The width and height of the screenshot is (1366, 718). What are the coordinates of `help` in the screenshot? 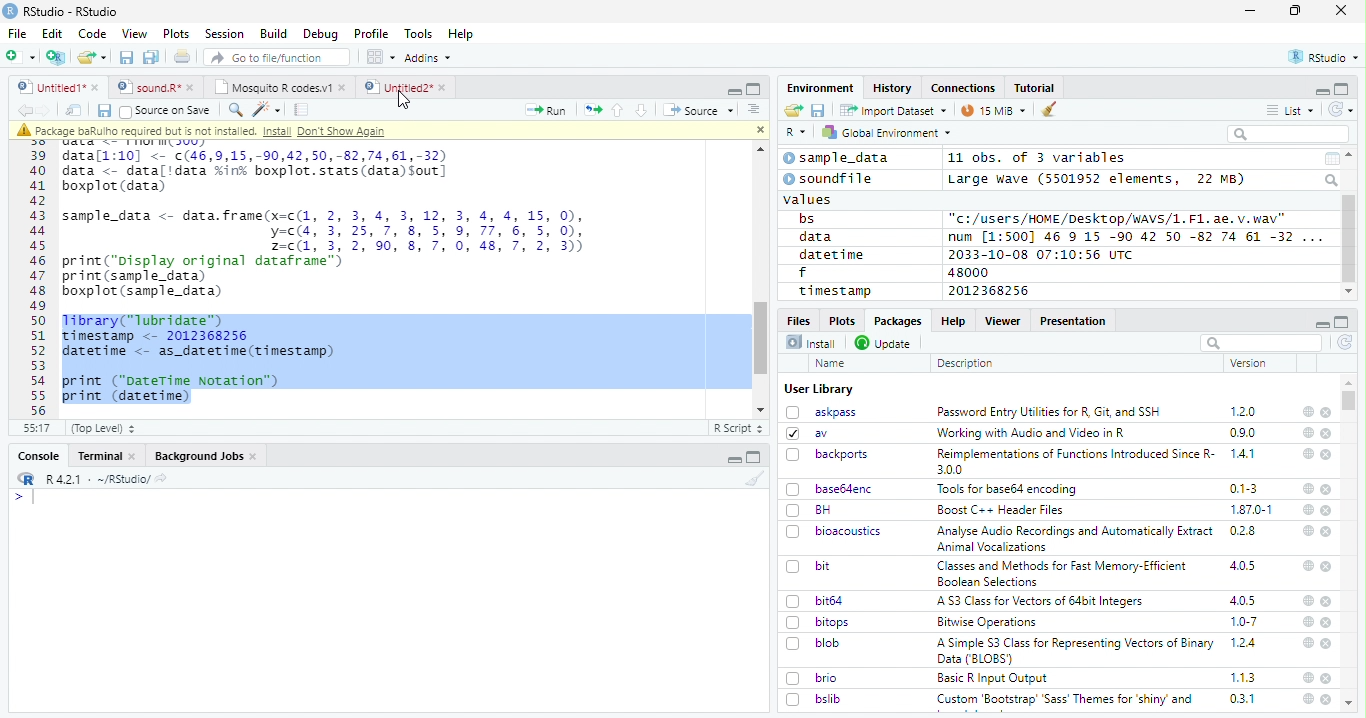 It's located at (1307, 600).